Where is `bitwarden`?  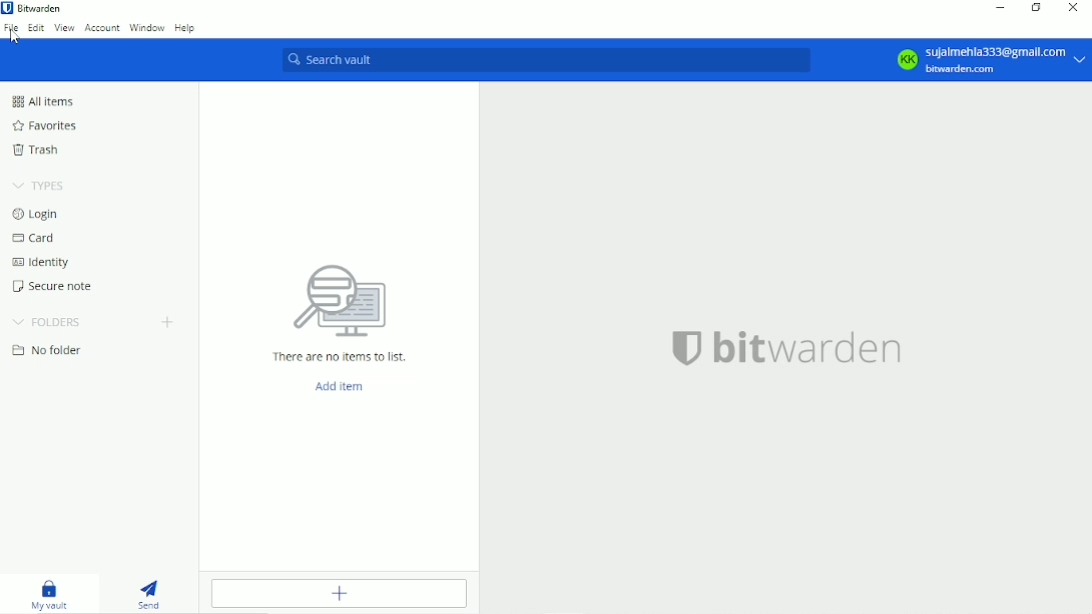
bitwarden is located at coordinates (786, 347).